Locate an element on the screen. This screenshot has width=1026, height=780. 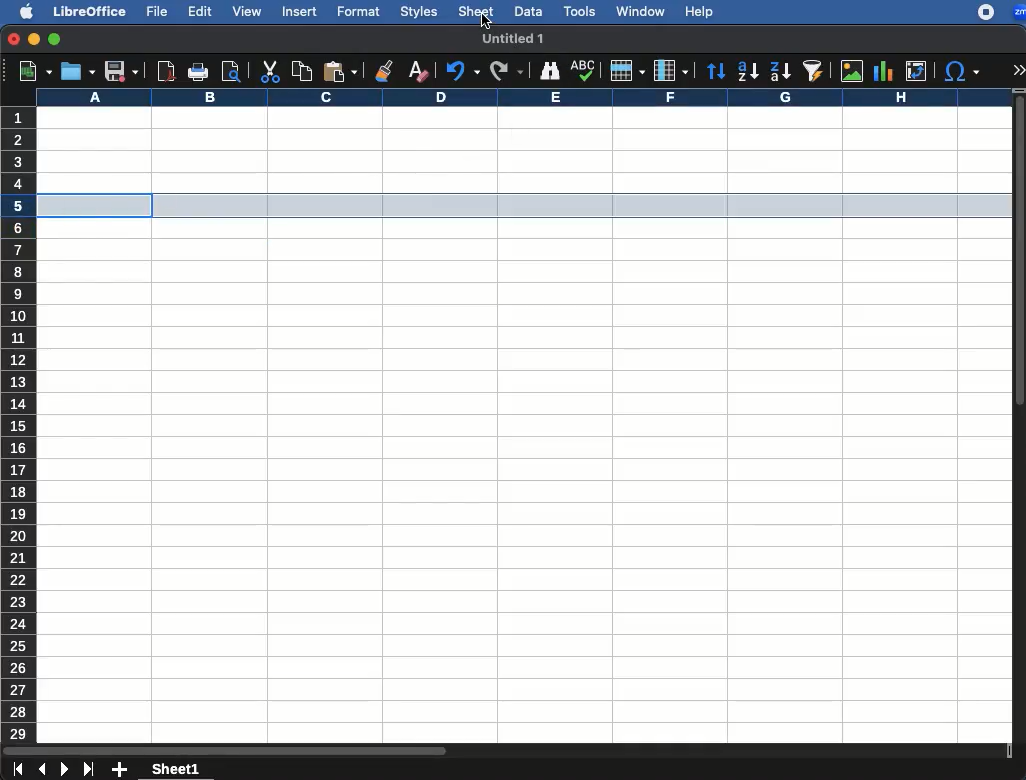
sheet1 is located at coordinates (175, 771).